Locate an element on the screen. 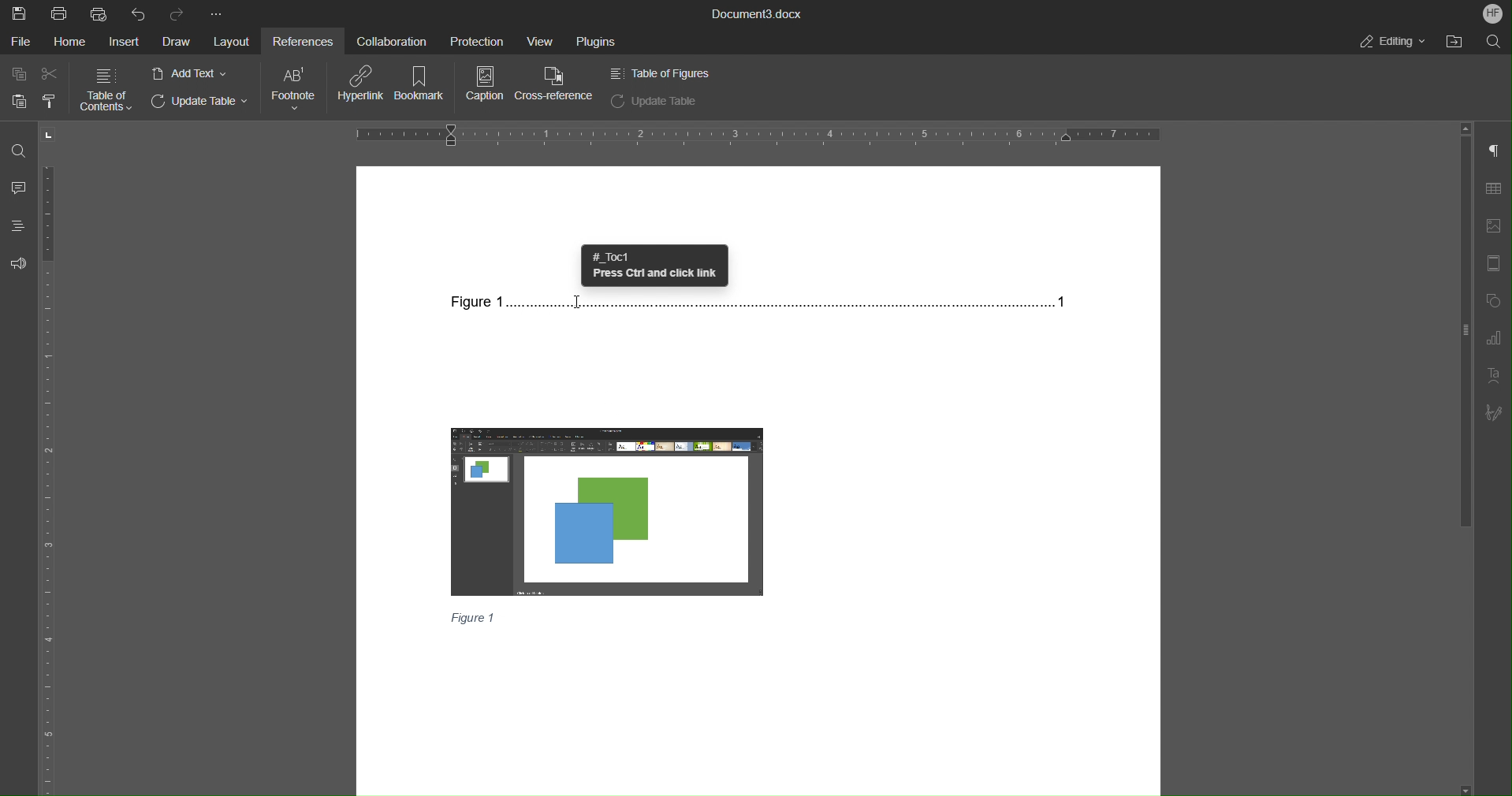  Redo is located at coordinates (179, 12).